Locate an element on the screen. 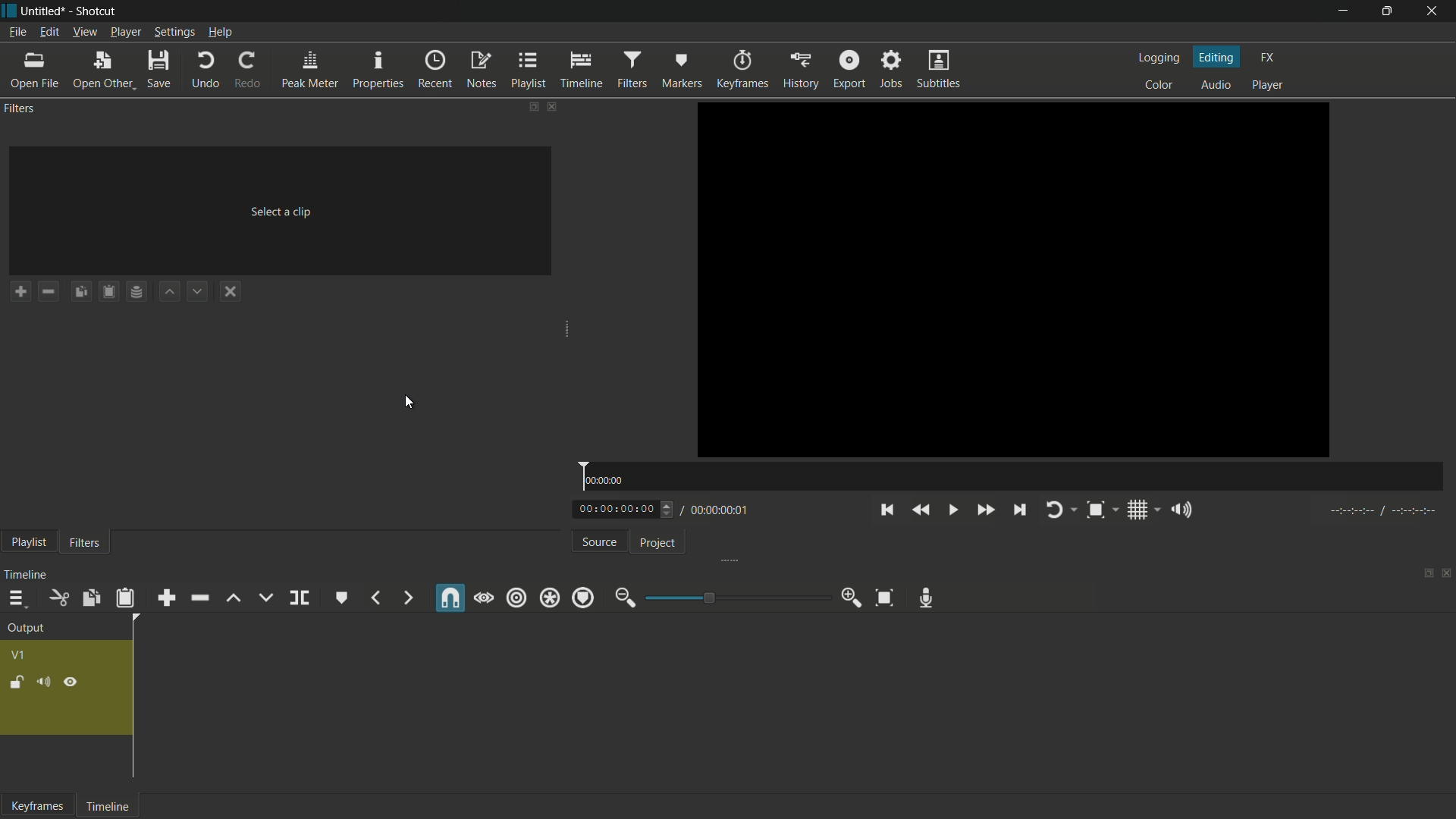  change layout is located at coordinates (1425, 575).